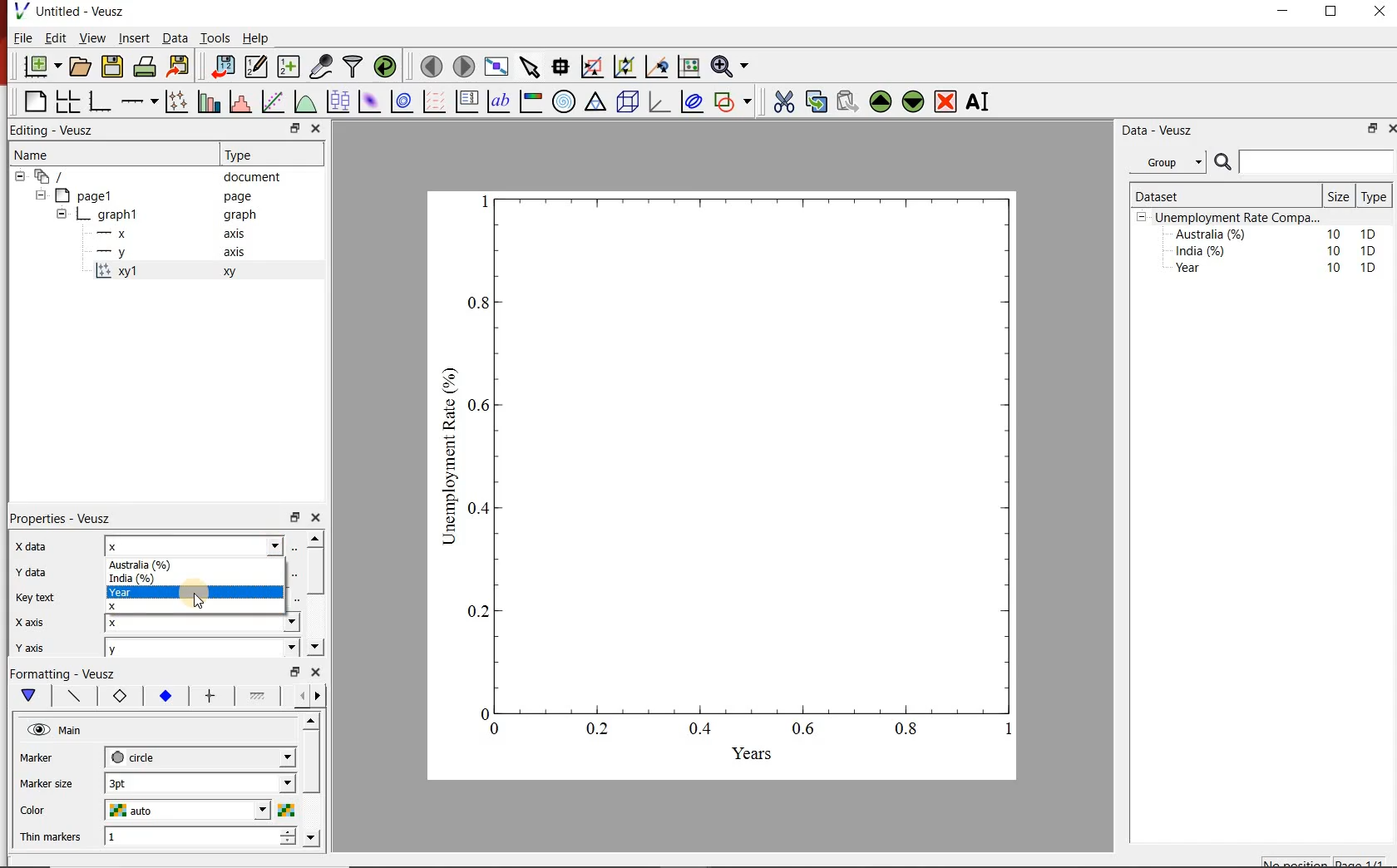 The height and width of the screenshot is (868, 1397). I want to click on 3d scenes, so click(625, 101).